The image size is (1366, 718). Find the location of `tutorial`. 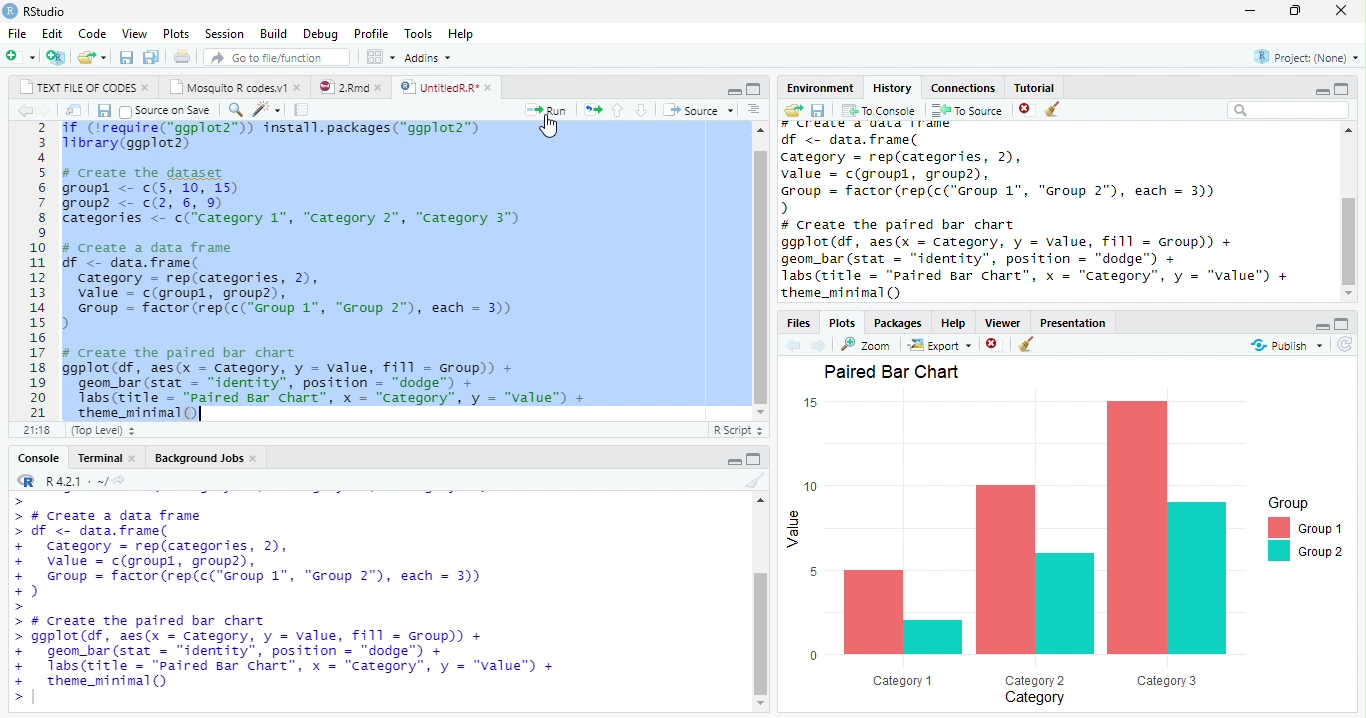

tutorial is located at coordinates (1045, 88).